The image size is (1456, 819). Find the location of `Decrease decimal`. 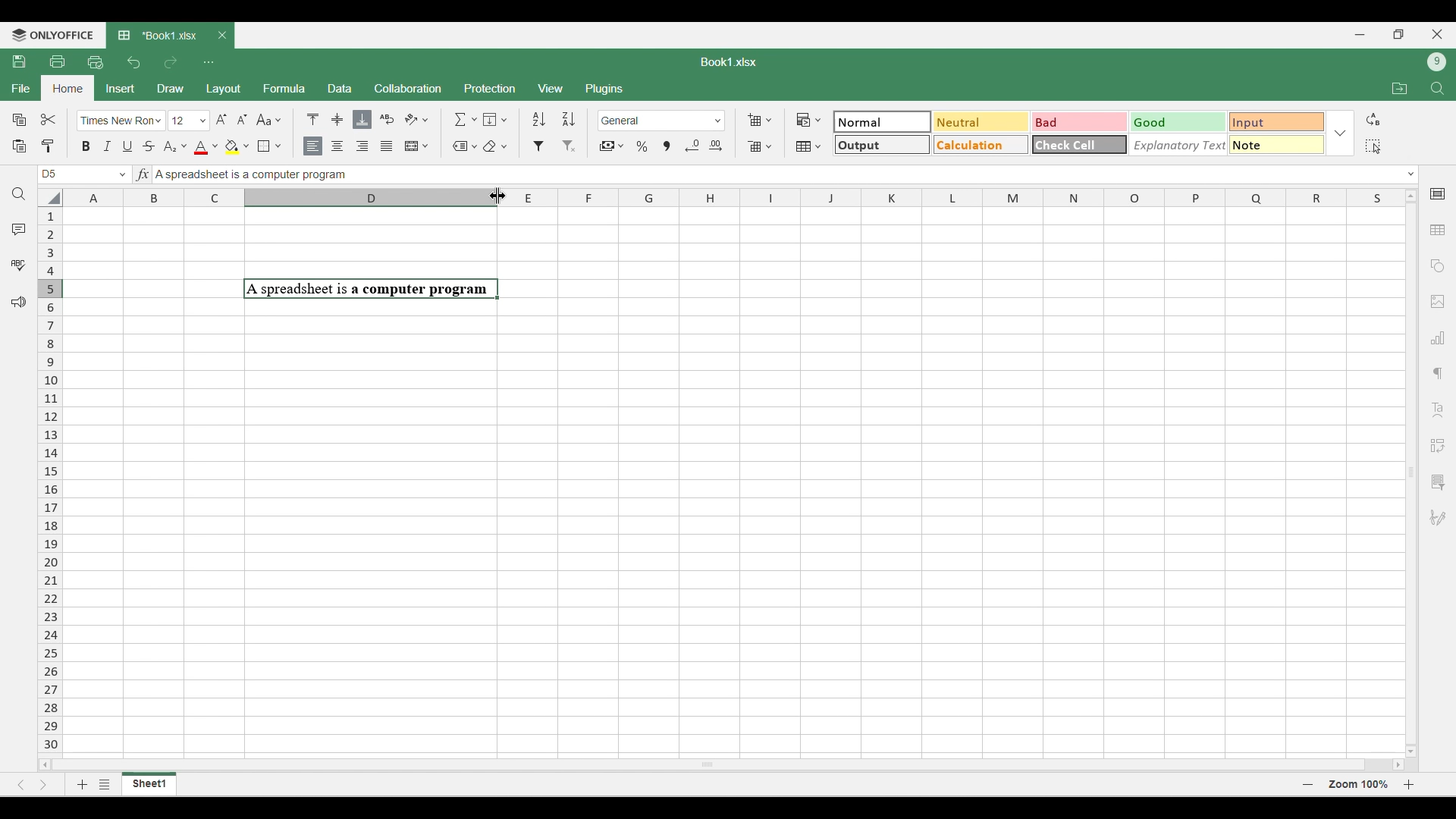

Decrease decimal is located at coordinates (692, 146).